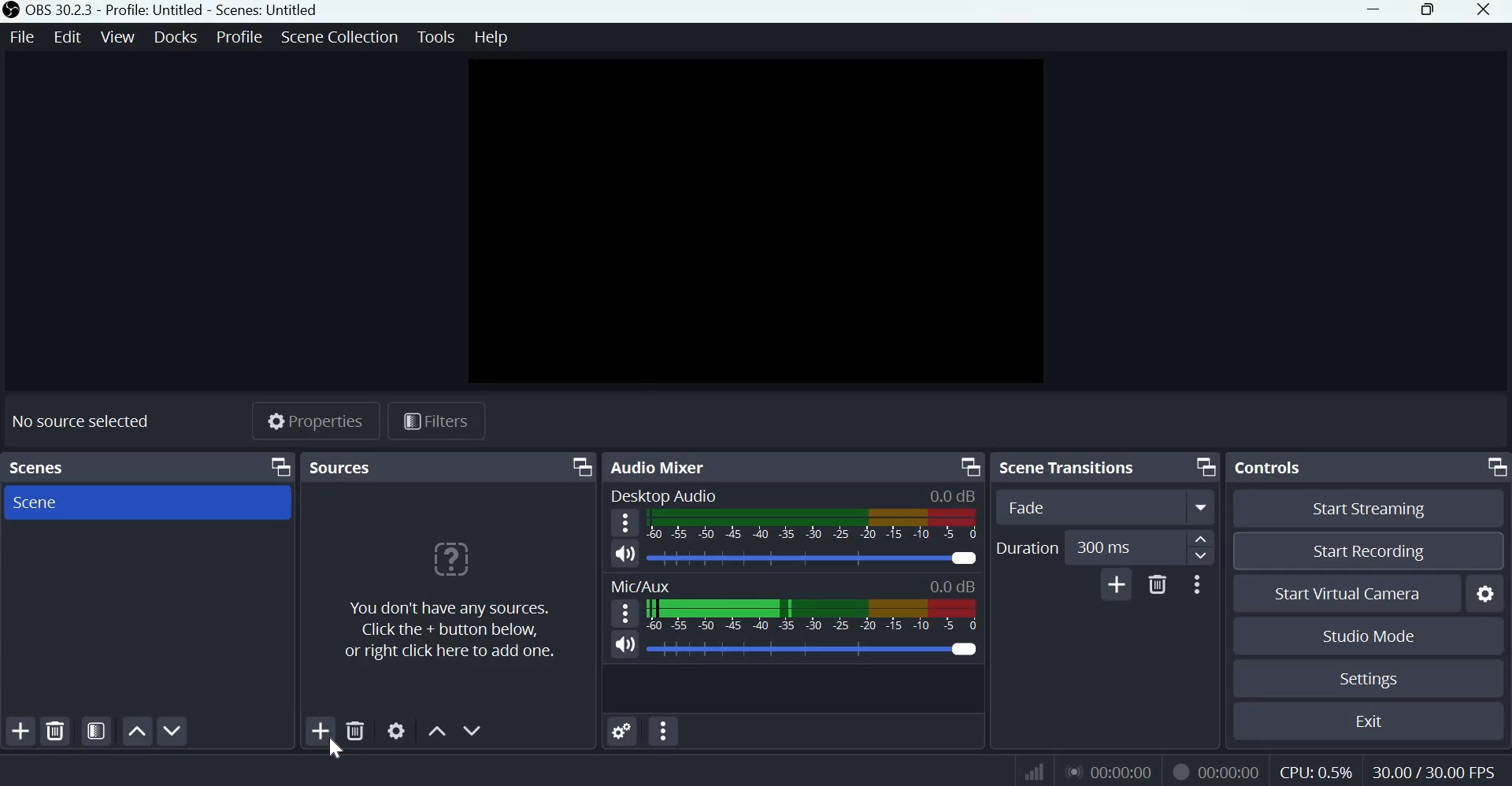  What do you see at coordinates (1180, 771) in the screenshot?
I see `Recording Status Icon` at bounding box center [1180, 771].